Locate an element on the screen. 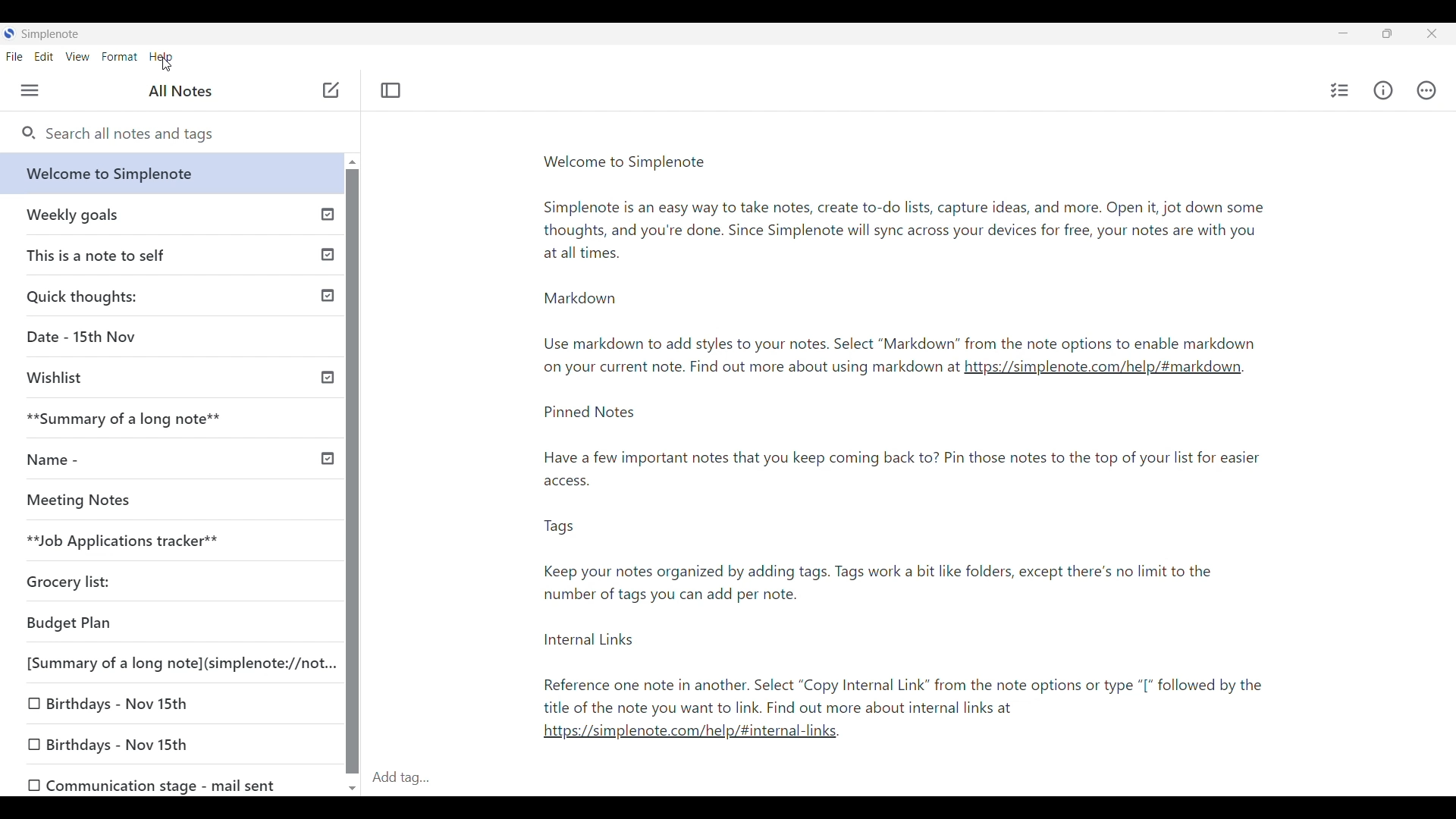 This screenshot has width=1456, height=819. Published is located at coordinates (328, 293).